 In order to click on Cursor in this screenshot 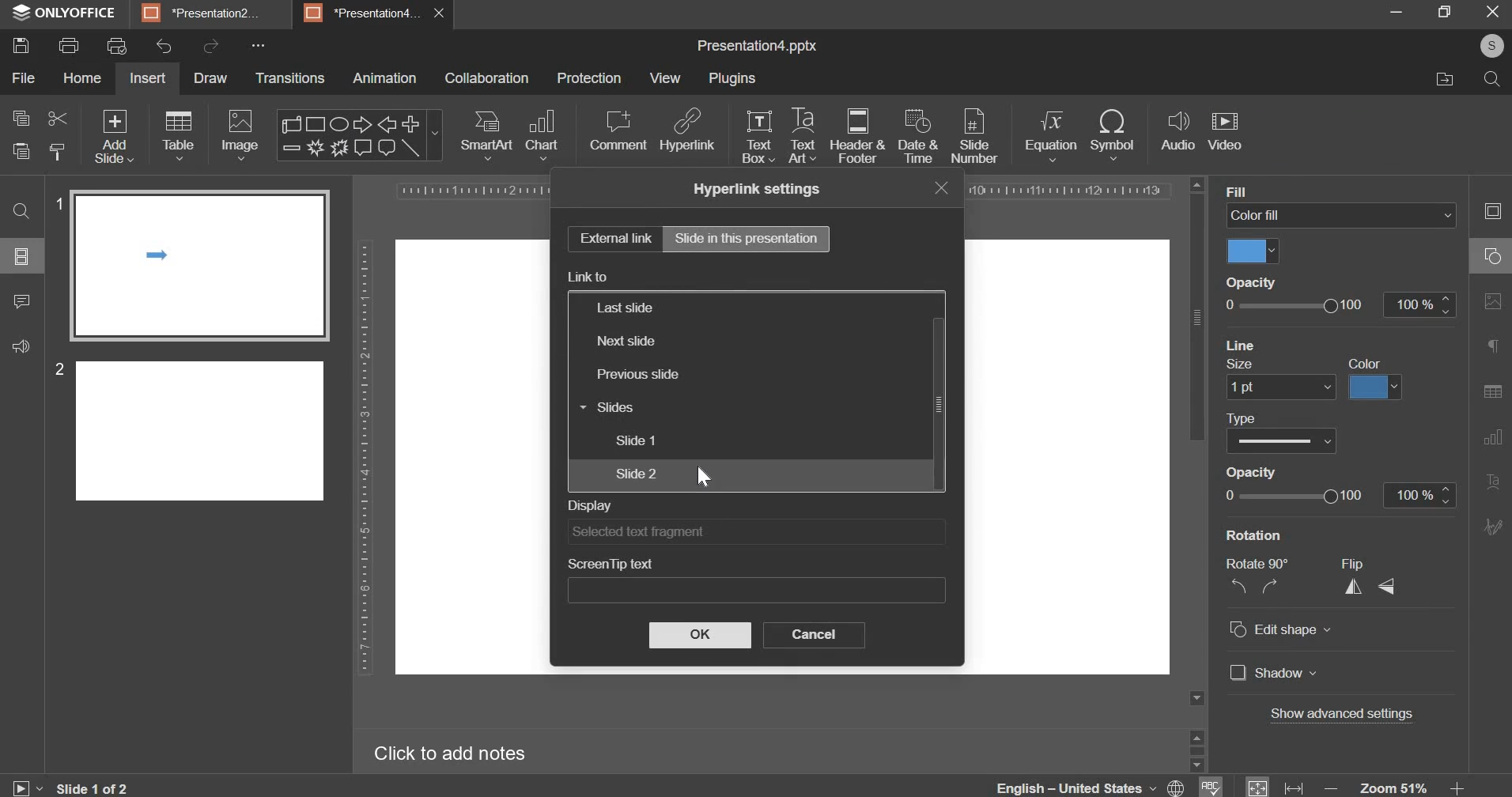, I will do `click(704, 479)`.